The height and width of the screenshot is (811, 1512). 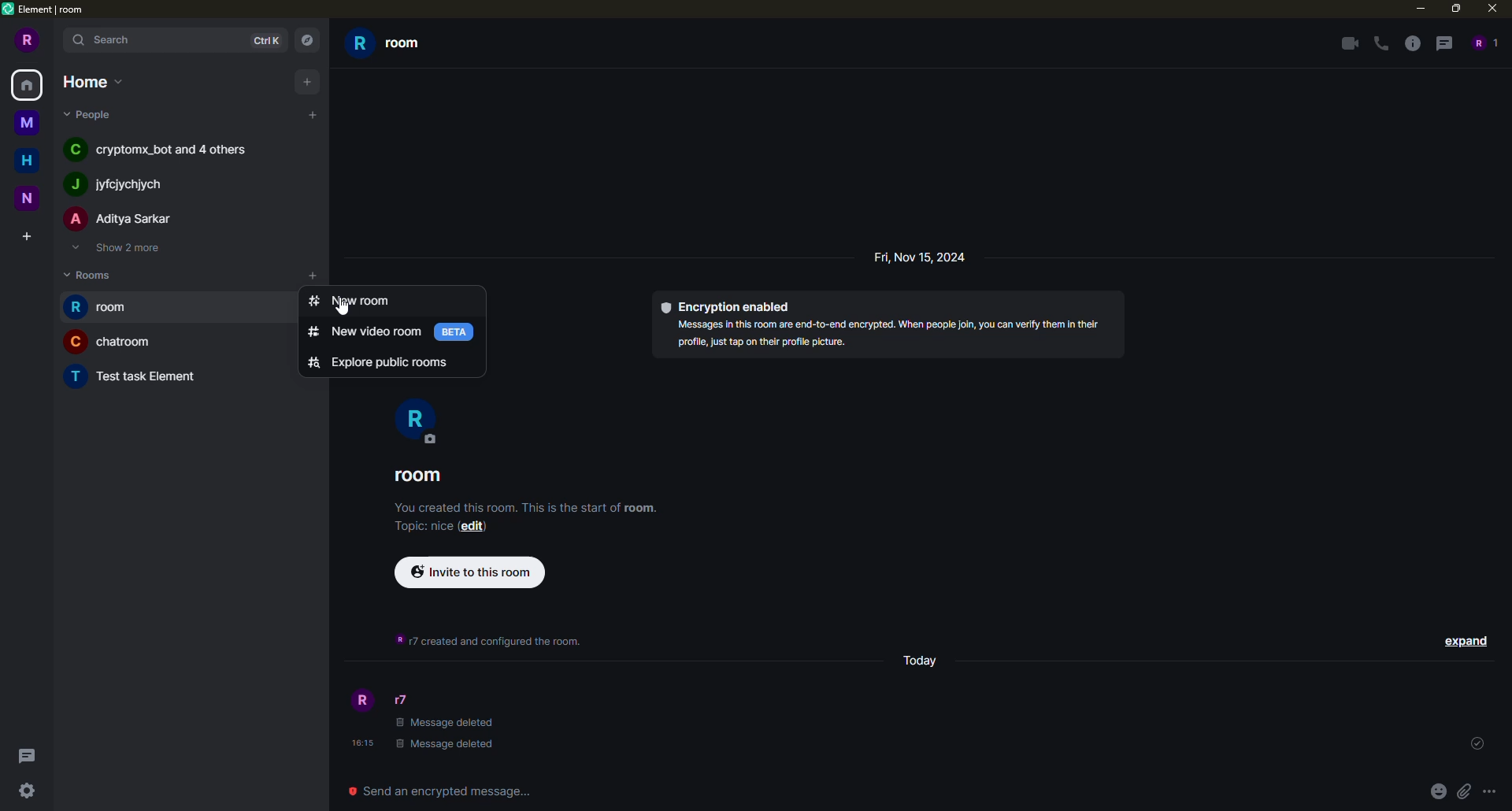 I want to click on voice call, so click(x=1380, y=43).